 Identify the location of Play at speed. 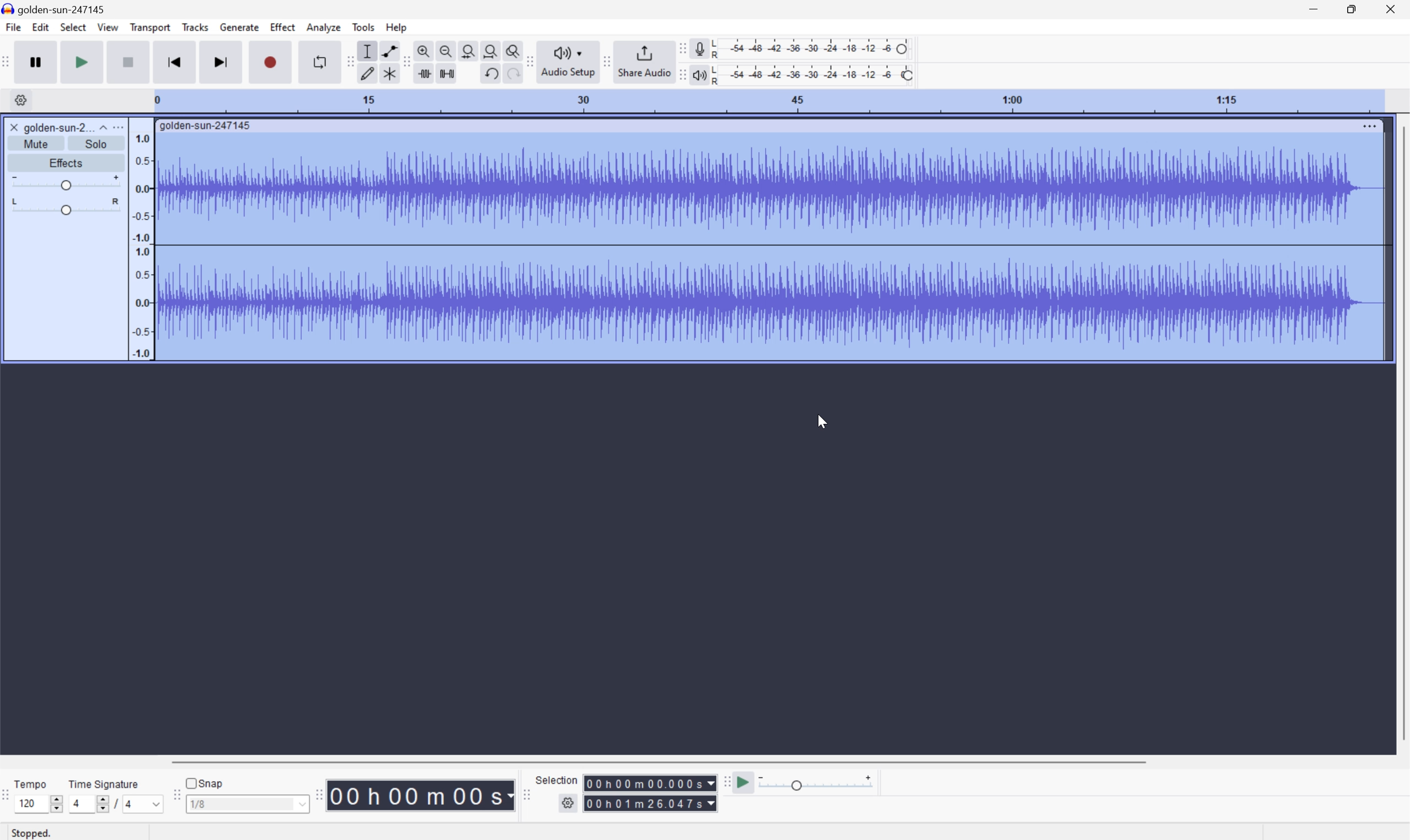
(746, 781).